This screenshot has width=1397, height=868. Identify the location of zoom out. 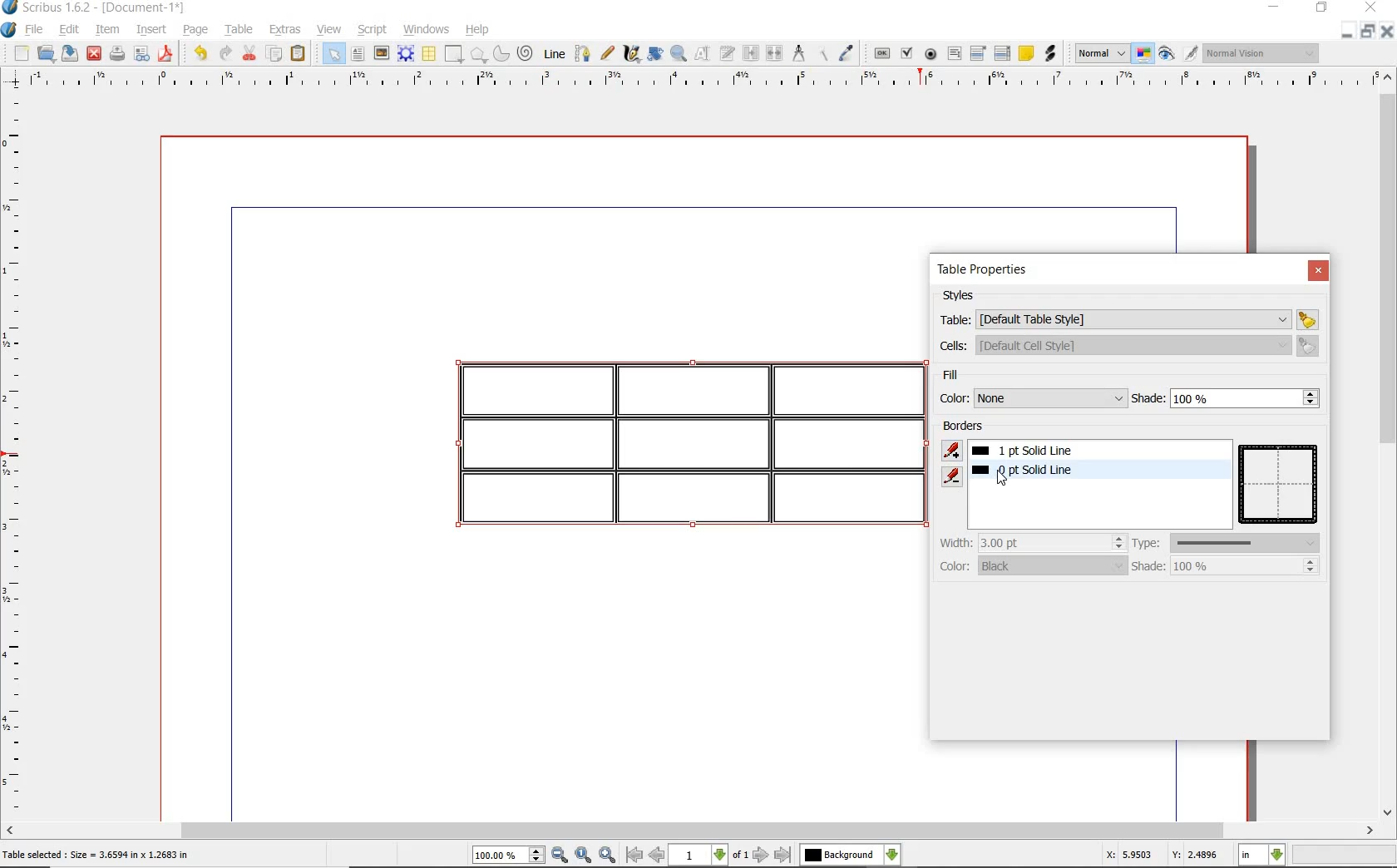
(560, 856).